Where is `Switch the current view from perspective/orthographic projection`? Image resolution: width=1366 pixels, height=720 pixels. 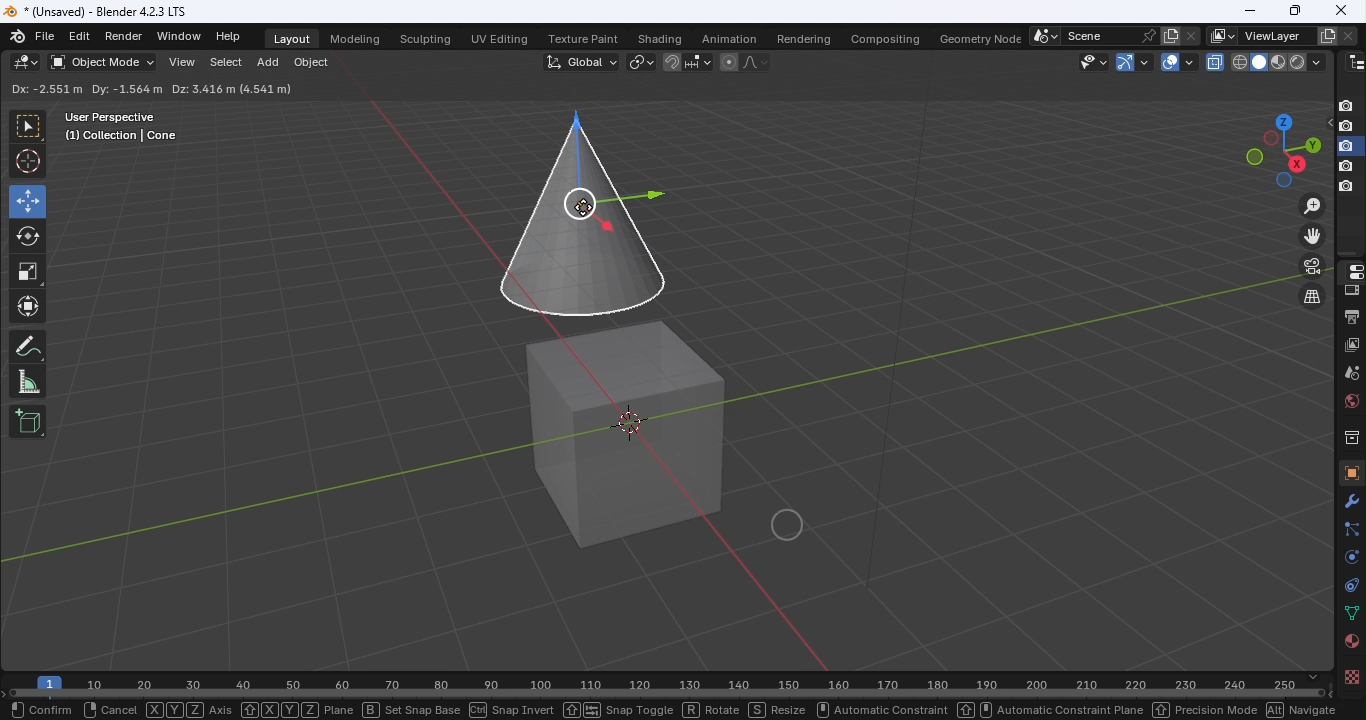
Switch the current view from perspective/orthographic projection is located at coordinates (1309, 298).